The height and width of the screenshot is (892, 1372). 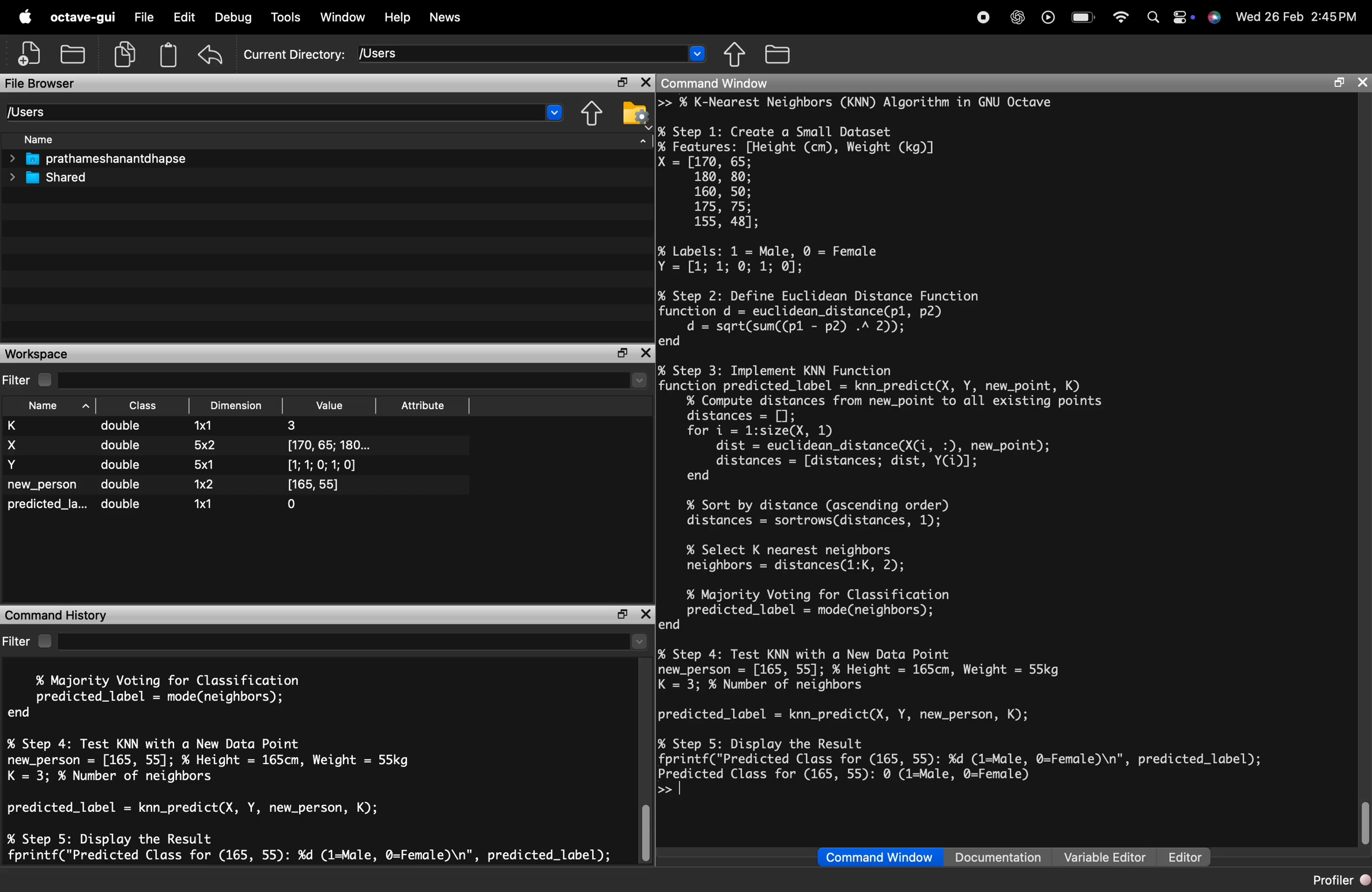 I want to click on Workspace, so click(x=36, y=353).